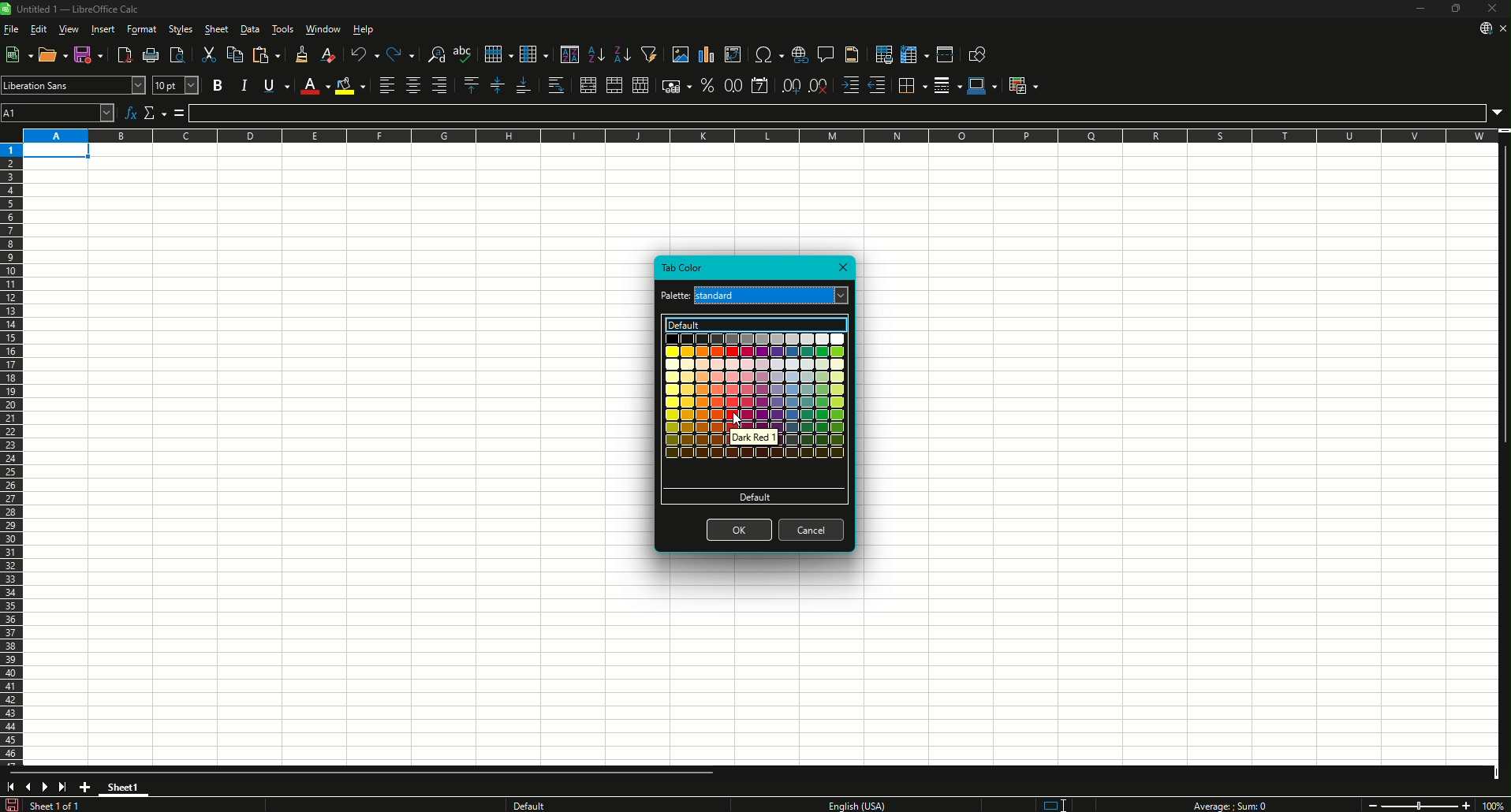 The width and height of the screenshot is (1511, 812). I want to click on Zoom out, so click(1372, 806).